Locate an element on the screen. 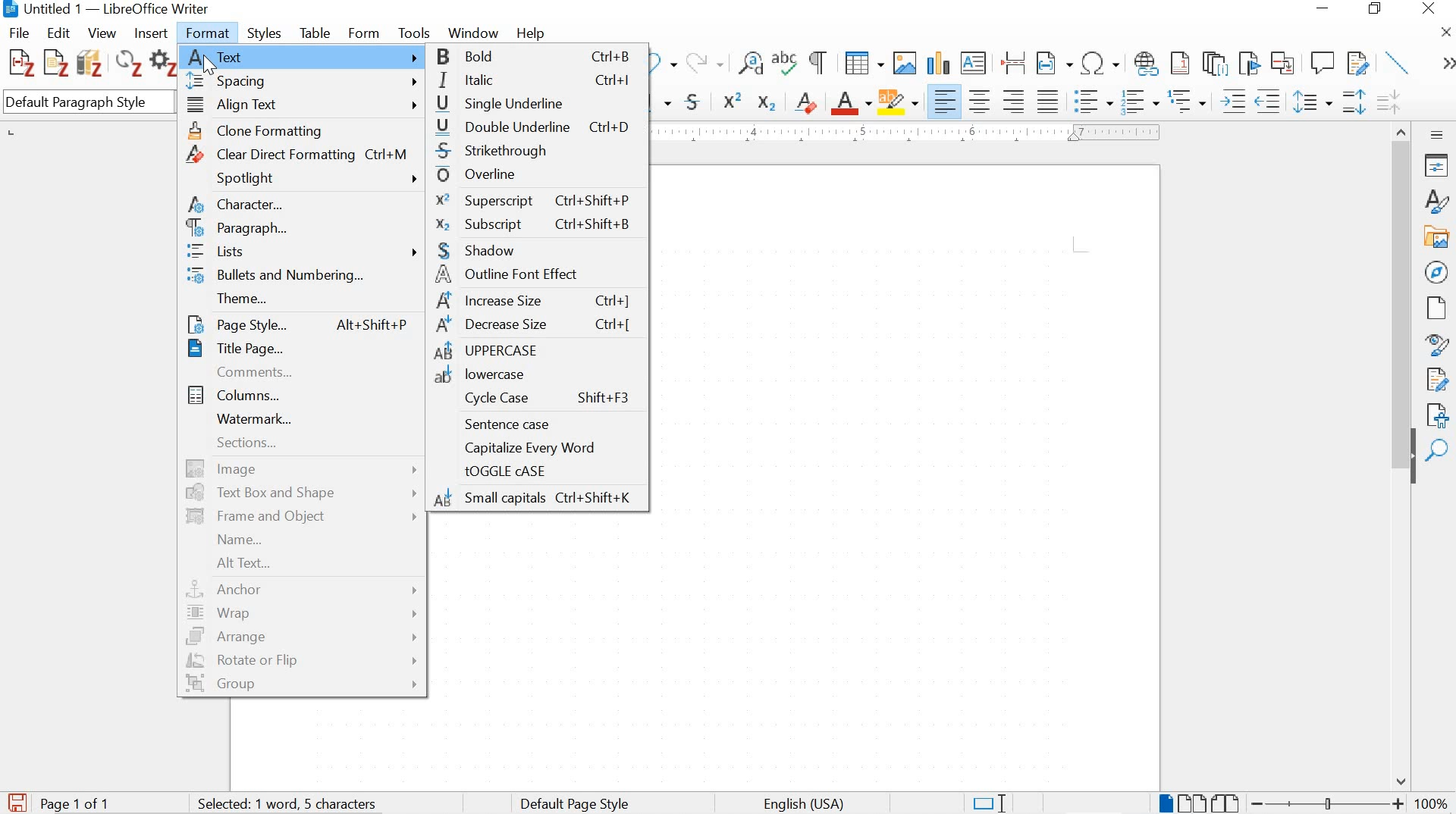 The height and width of the screenshot is (814, 1456). help is located at coordinates (529, 33).